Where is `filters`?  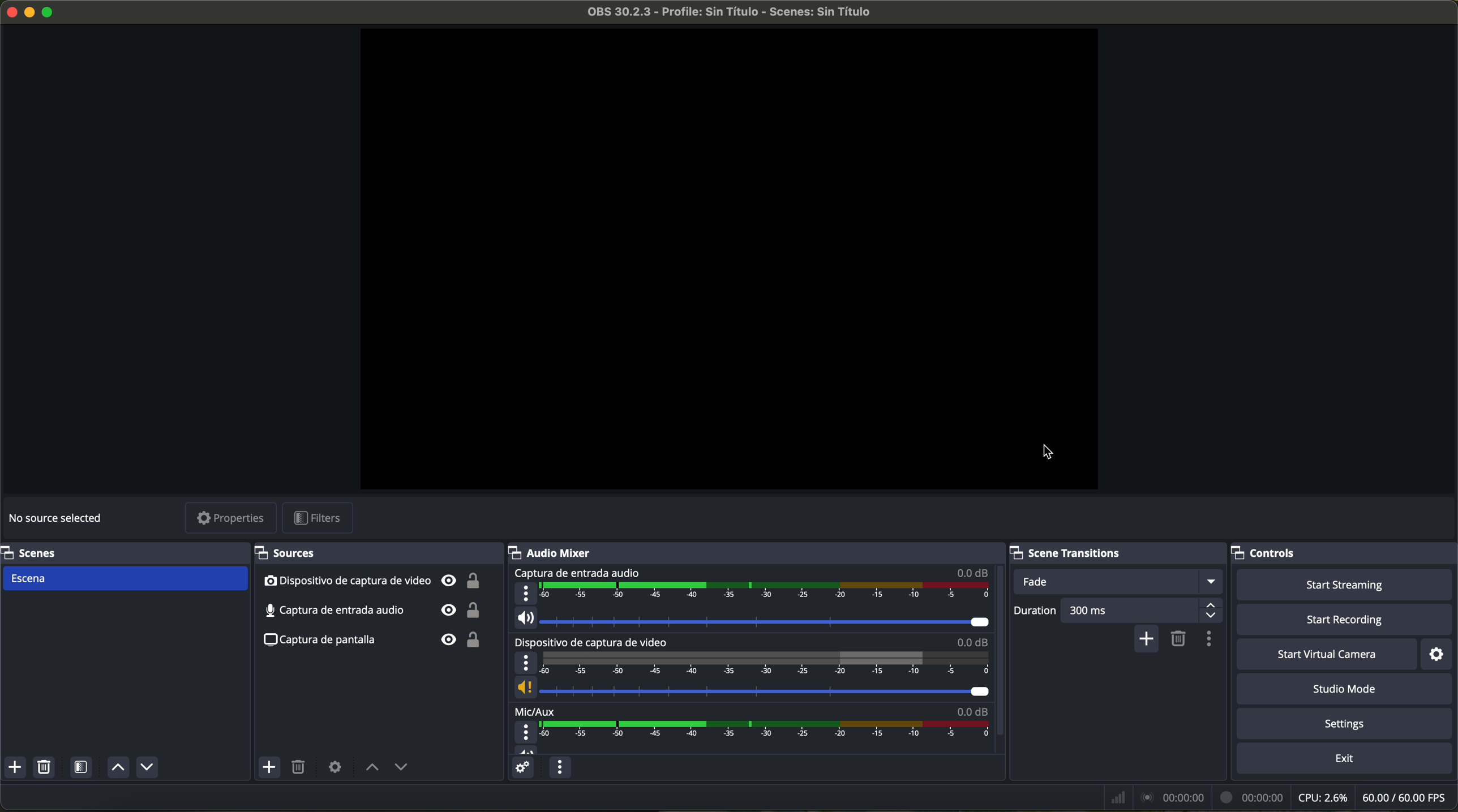
filters is located at coordinates (321, 519).